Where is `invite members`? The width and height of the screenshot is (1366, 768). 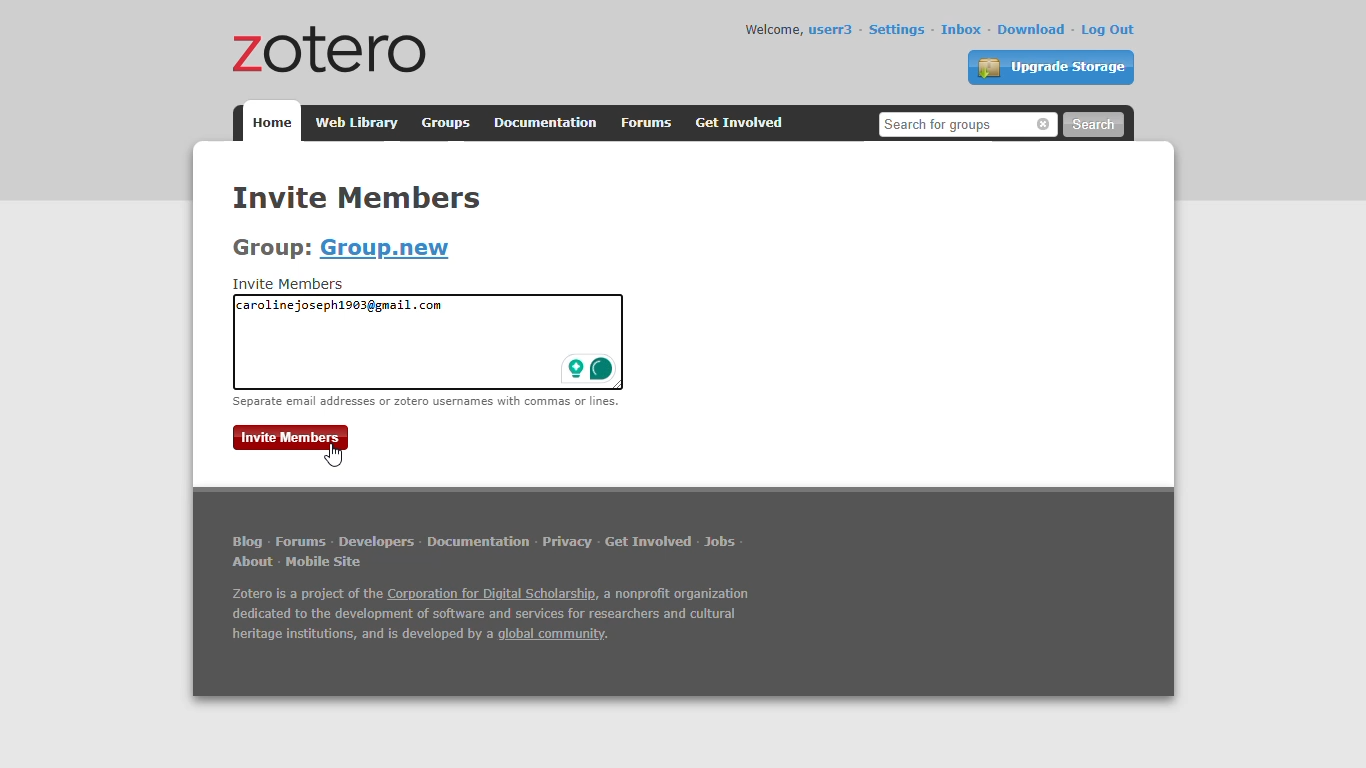
invite members is located at coordinates (291, 437).